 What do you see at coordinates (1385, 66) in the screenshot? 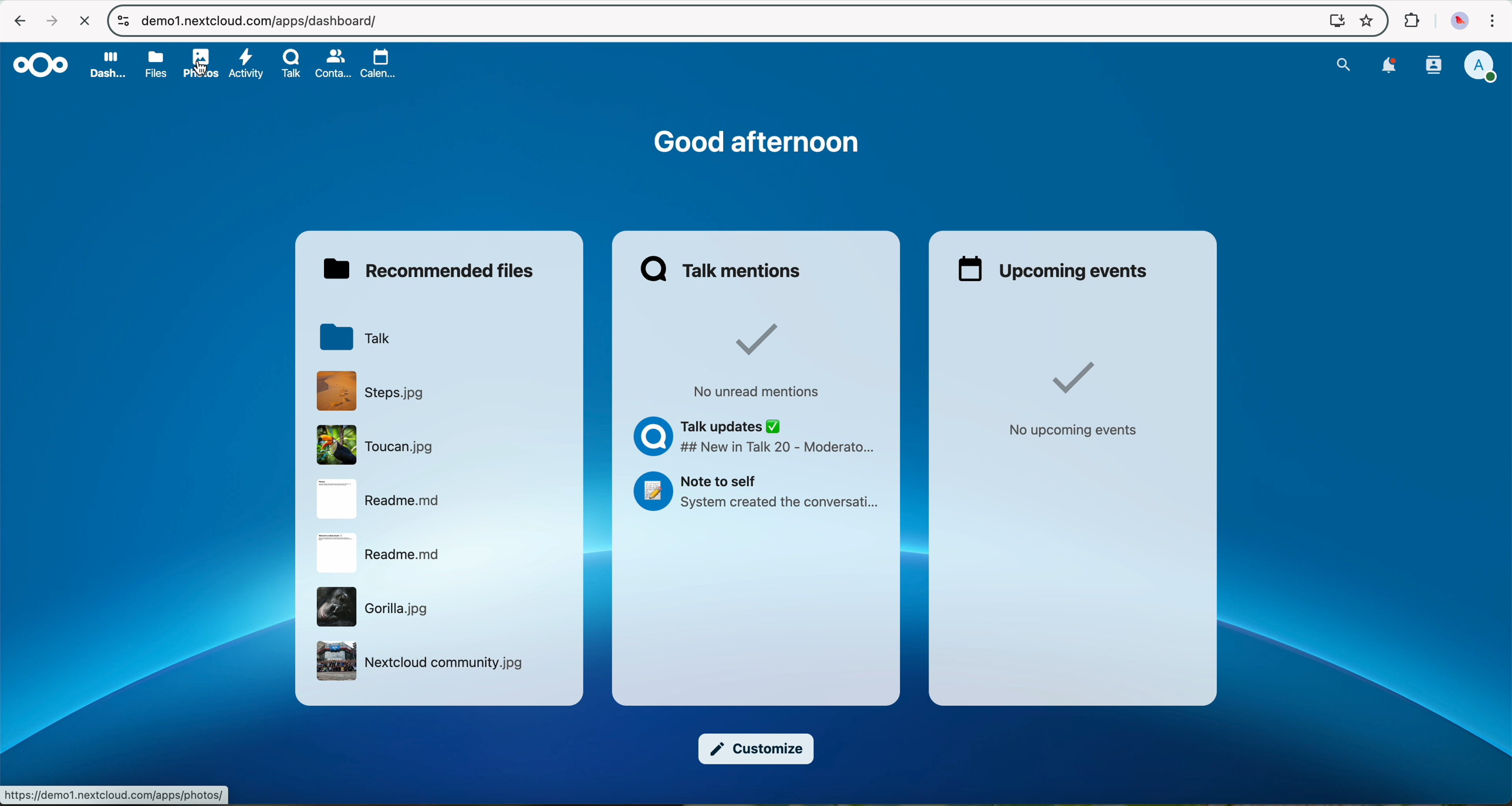
I see `notifications` at bounding box center [1385, 66].